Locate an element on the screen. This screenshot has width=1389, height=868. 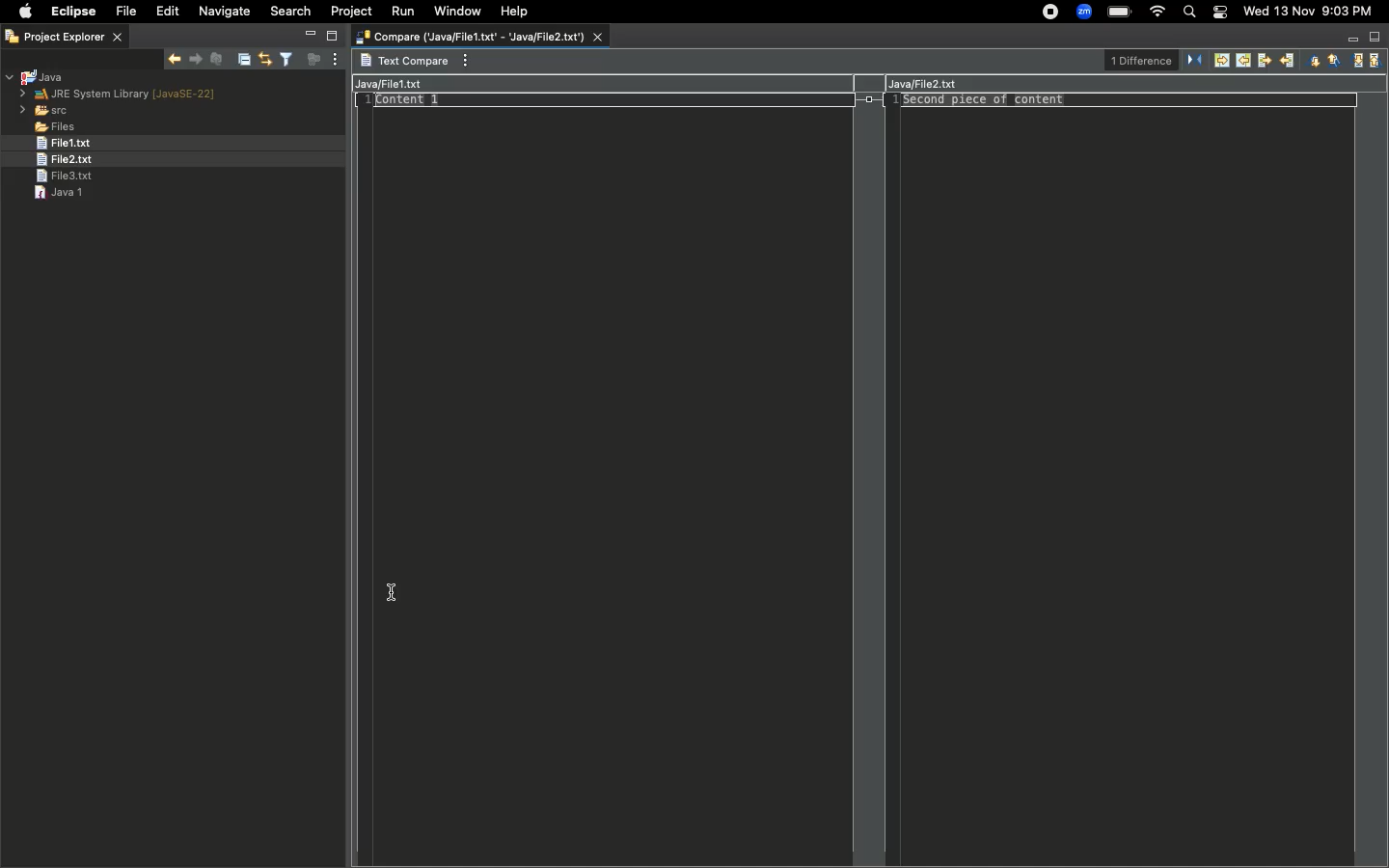
Edit is located at coordinates (164, 11).